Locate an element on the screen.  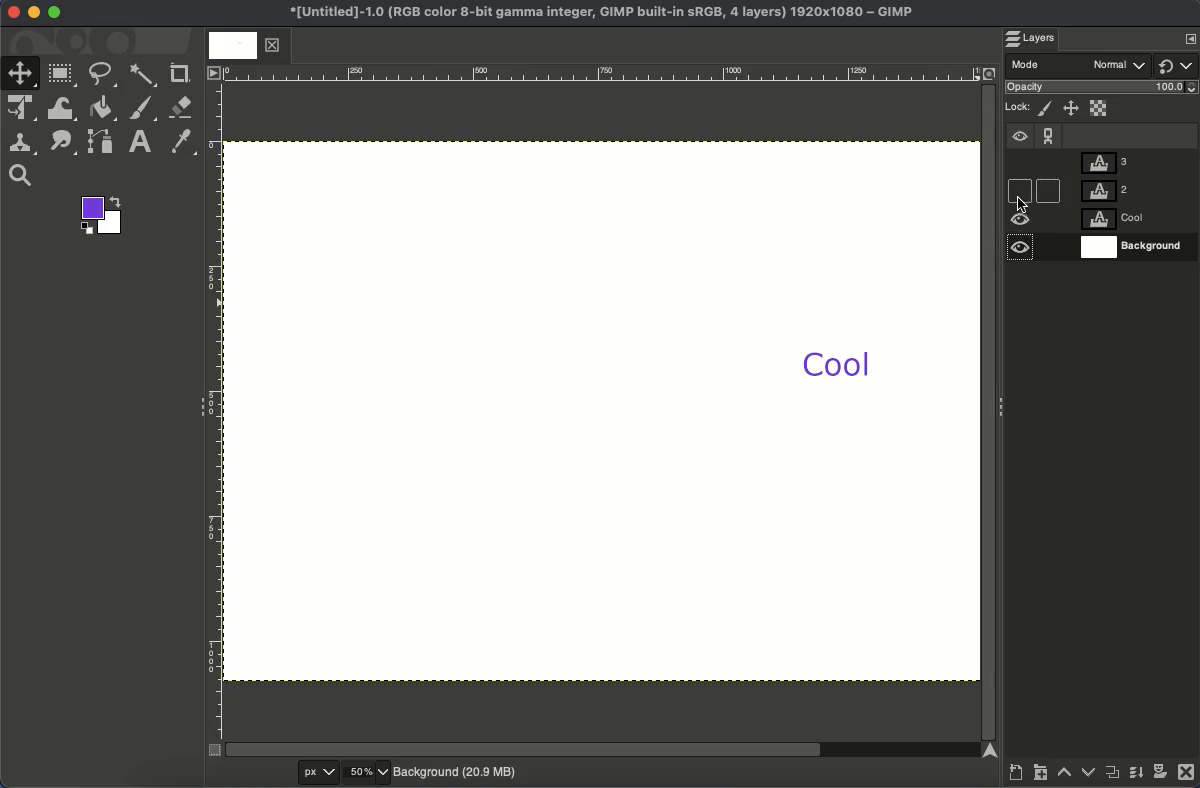
Opacity is located at coordinates (1104, 89).